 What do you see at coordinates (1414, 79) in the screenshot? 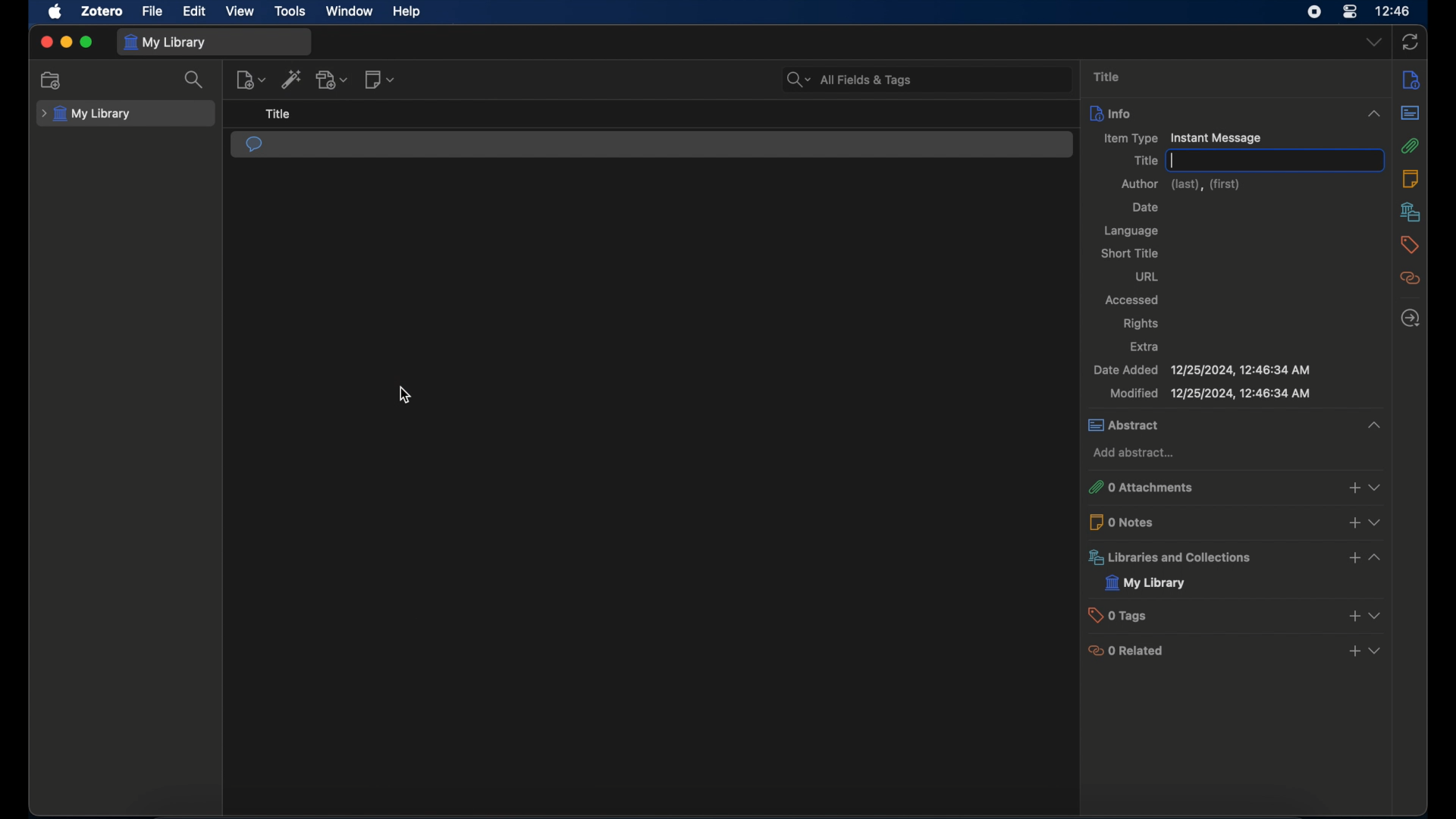
I see `notes` at bounding box center [1414, 79].